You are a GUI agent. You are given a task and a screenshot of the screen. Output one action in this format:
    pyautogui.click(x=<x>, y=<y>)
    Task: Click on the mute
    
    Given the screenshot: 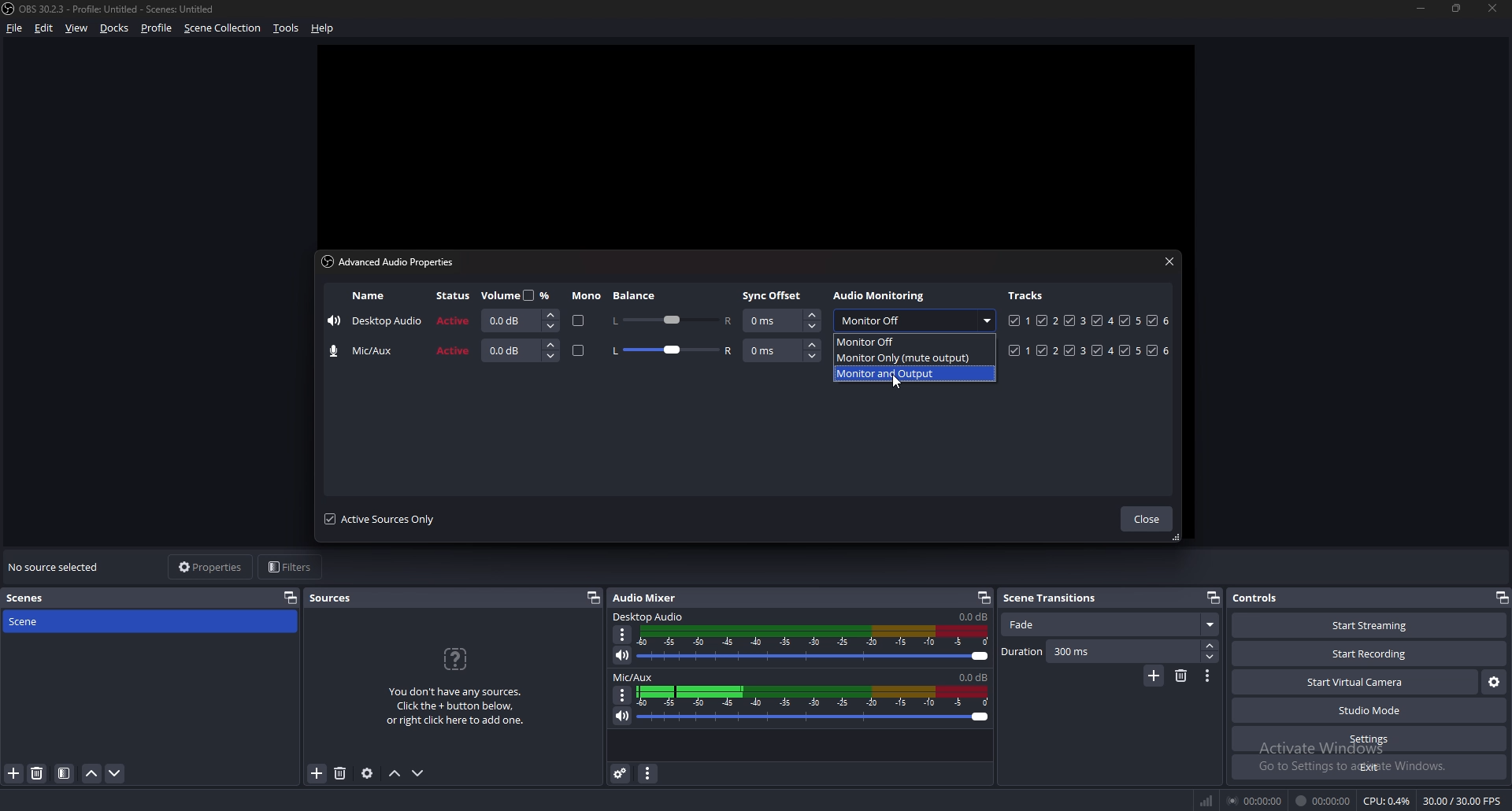 What is the action you would take?
    pyautogui.click(x=621, y=716)
    